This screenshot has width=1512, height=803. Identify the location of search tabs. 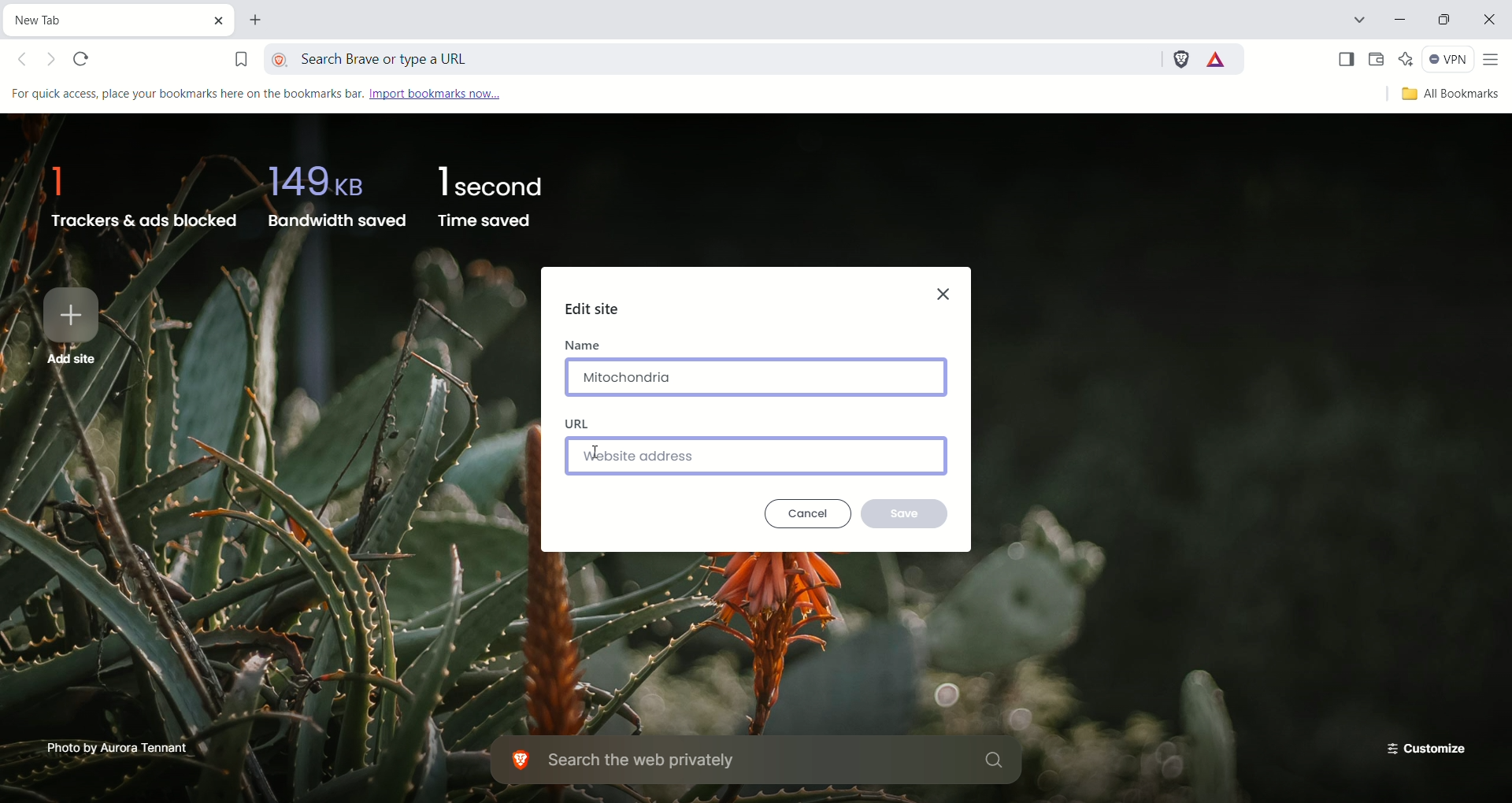
(1358, 22).